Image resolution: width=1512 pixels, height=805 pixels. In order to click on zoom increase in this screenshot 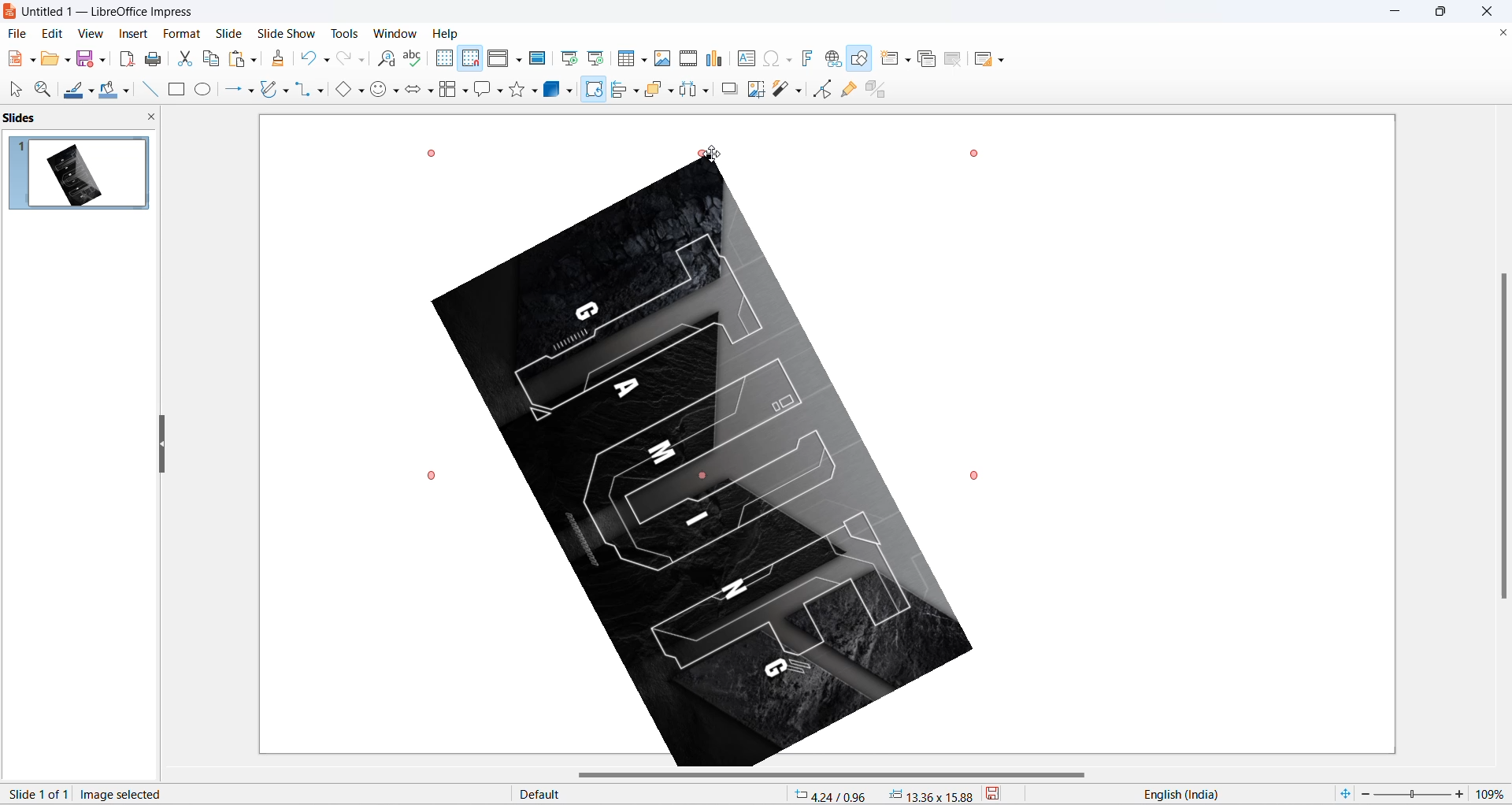, I will do `click(1462, 793)`.